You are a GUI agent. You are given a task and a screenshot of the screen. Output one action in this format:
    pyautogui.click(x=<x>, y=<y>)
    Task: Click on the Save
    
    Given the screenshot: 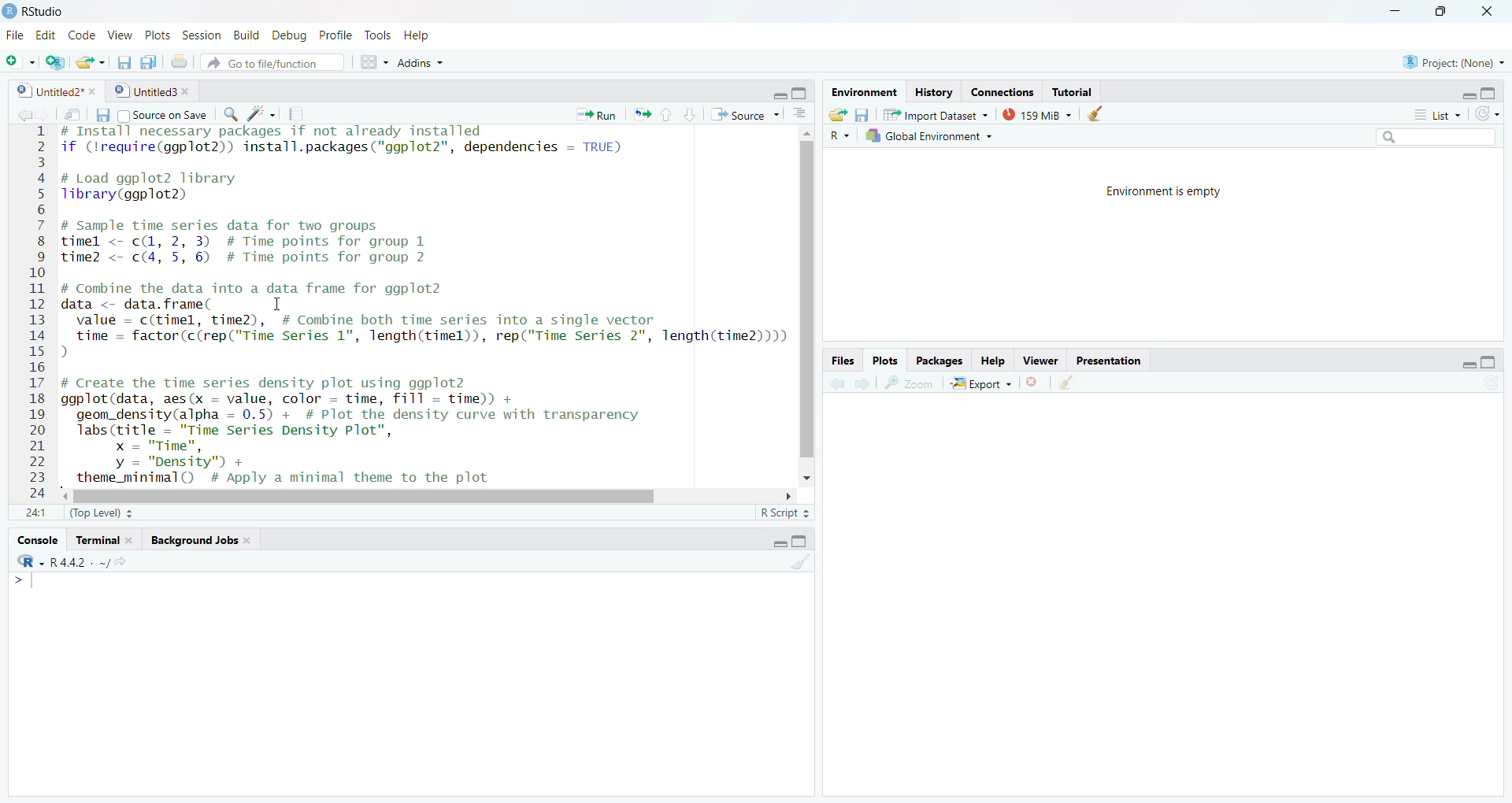 What is the action you would take?
    pyautogui.click(x=124, y=62)
    